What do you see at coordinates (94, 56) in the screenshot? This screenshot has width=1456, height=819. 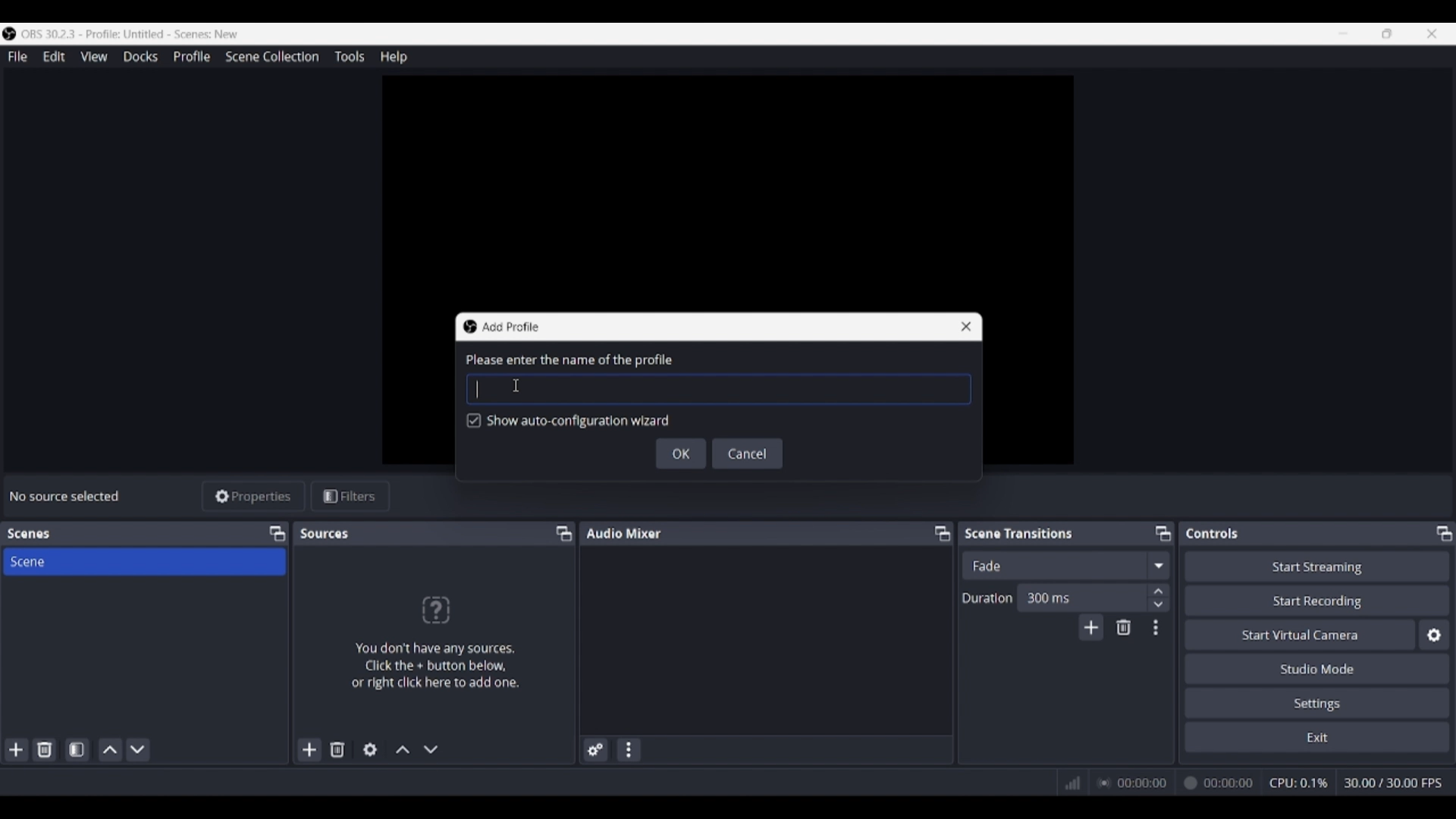 I see `View menu` at bounding box center [94, 56].